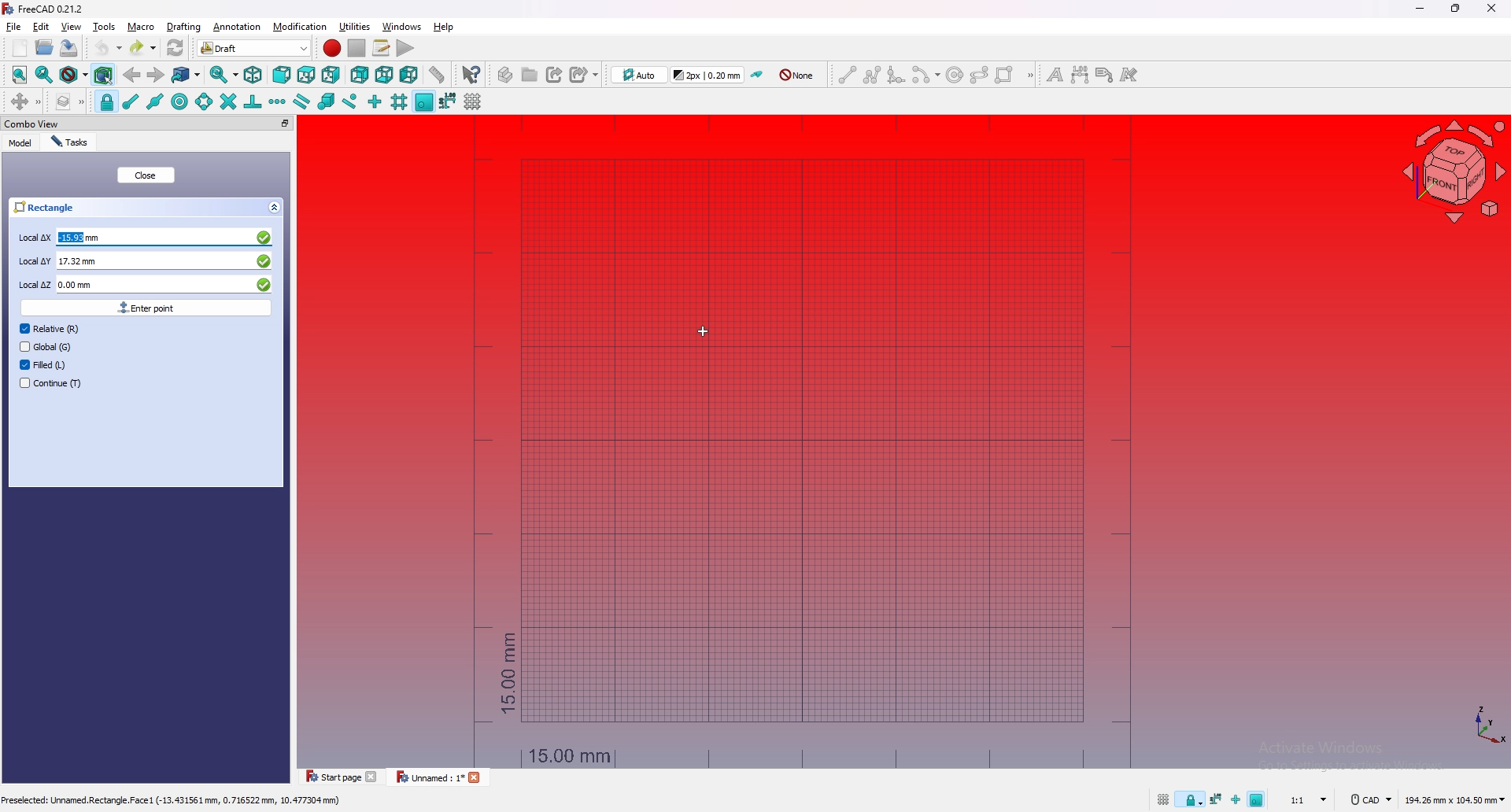 The height and width of the screenshot is (812, 1511). I want to click on rectangle, so click(148, 206).